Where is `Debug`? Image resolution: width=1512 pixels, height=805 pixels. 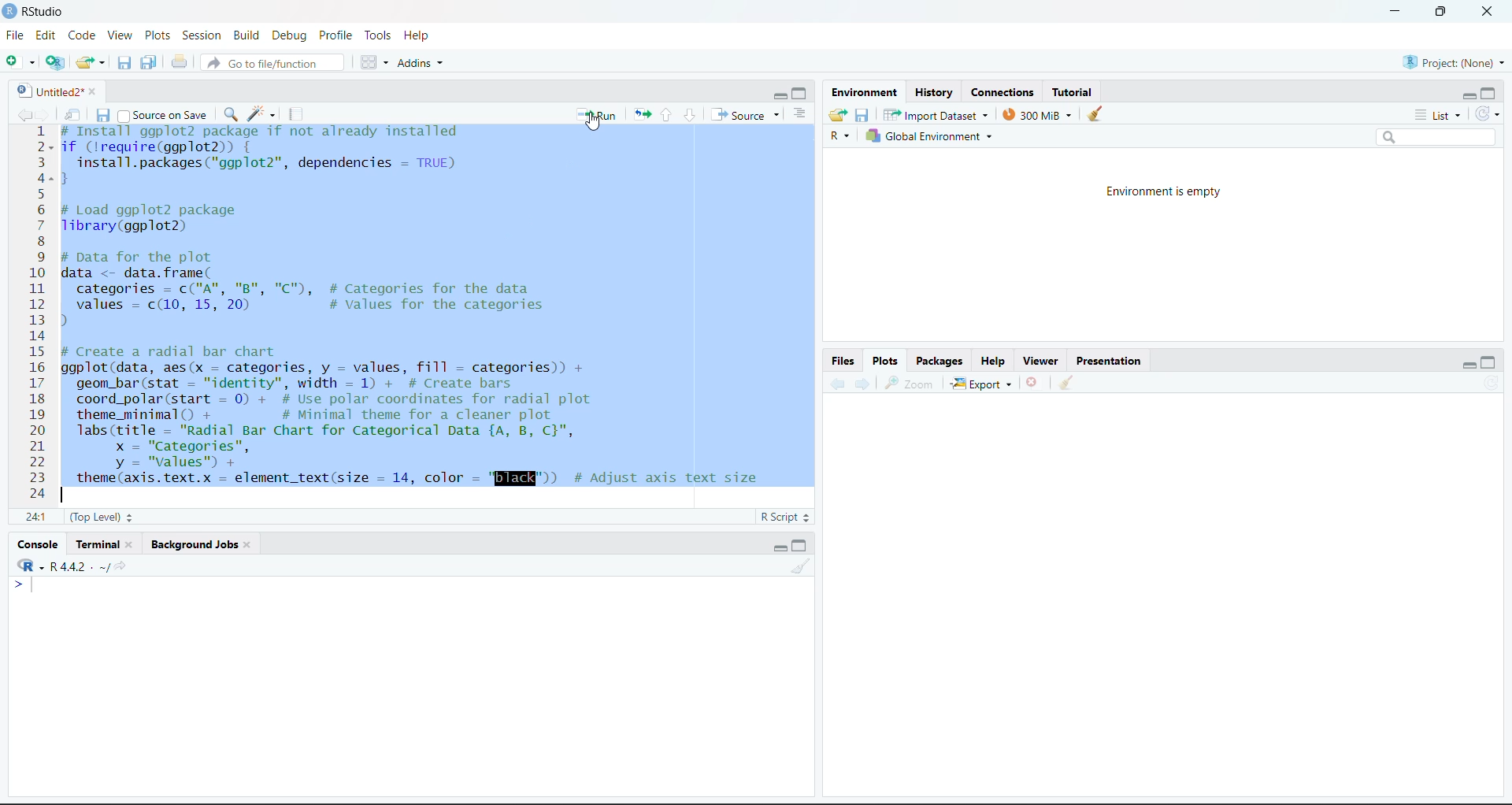
Debug is located at coordinates (289, 35).